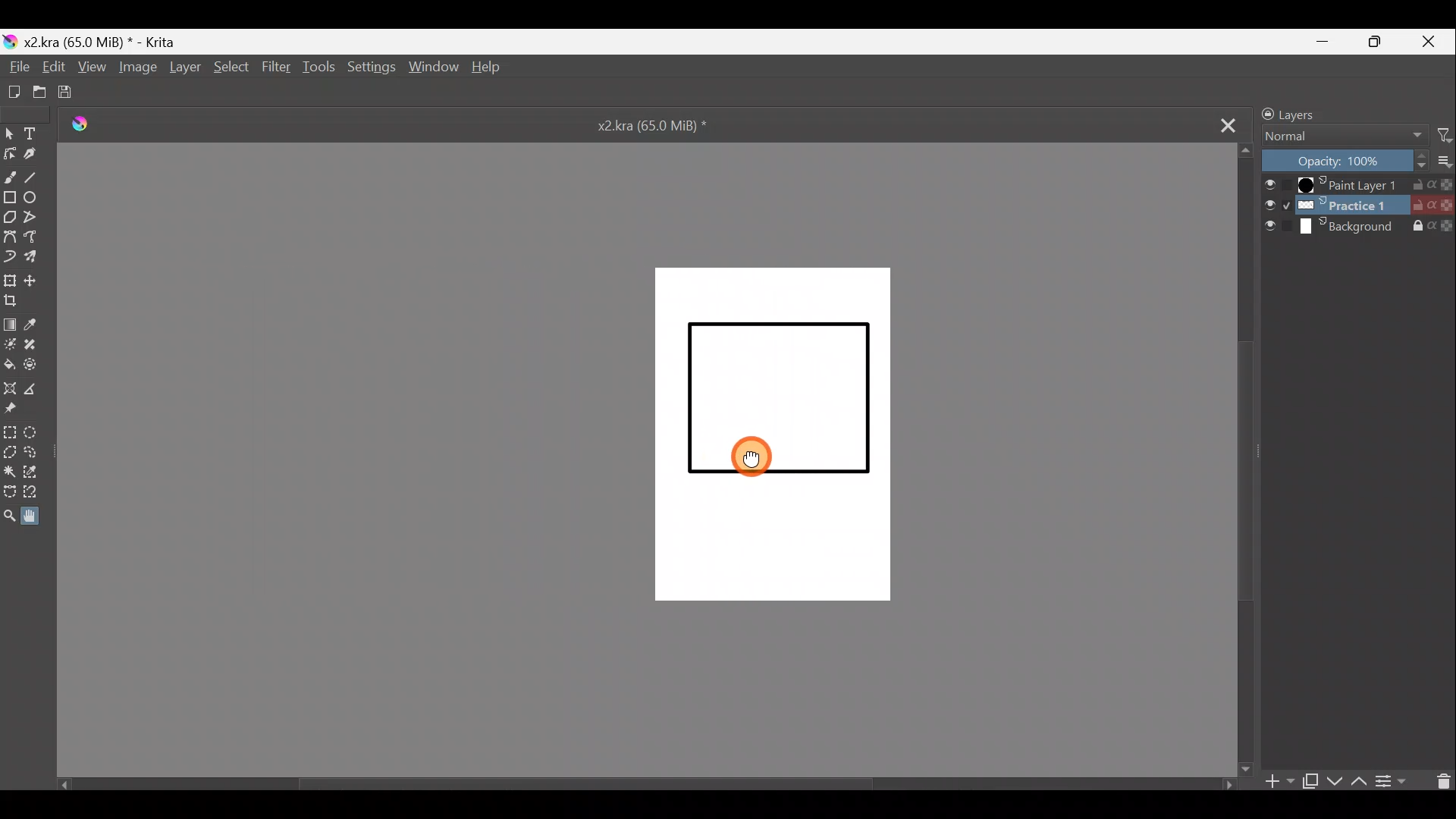 This screenshot has height=819, width=1456. What do you see at coordinates (18, 409) in the screenshot?
I see `Reference images tool` at bounding box center [18, 409].